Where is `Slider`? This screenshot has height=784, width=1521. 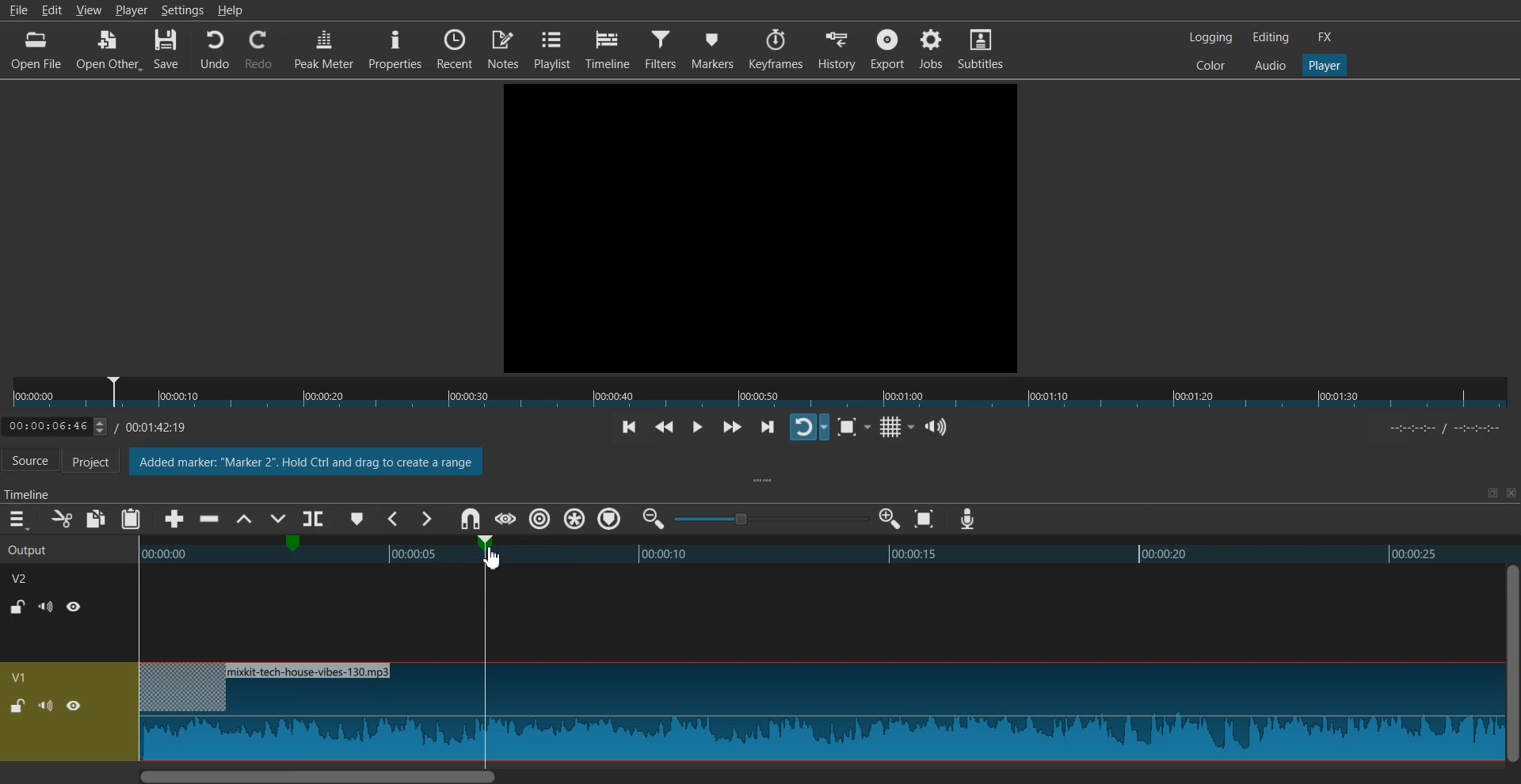
Slider is located at coordinates (760, 393).